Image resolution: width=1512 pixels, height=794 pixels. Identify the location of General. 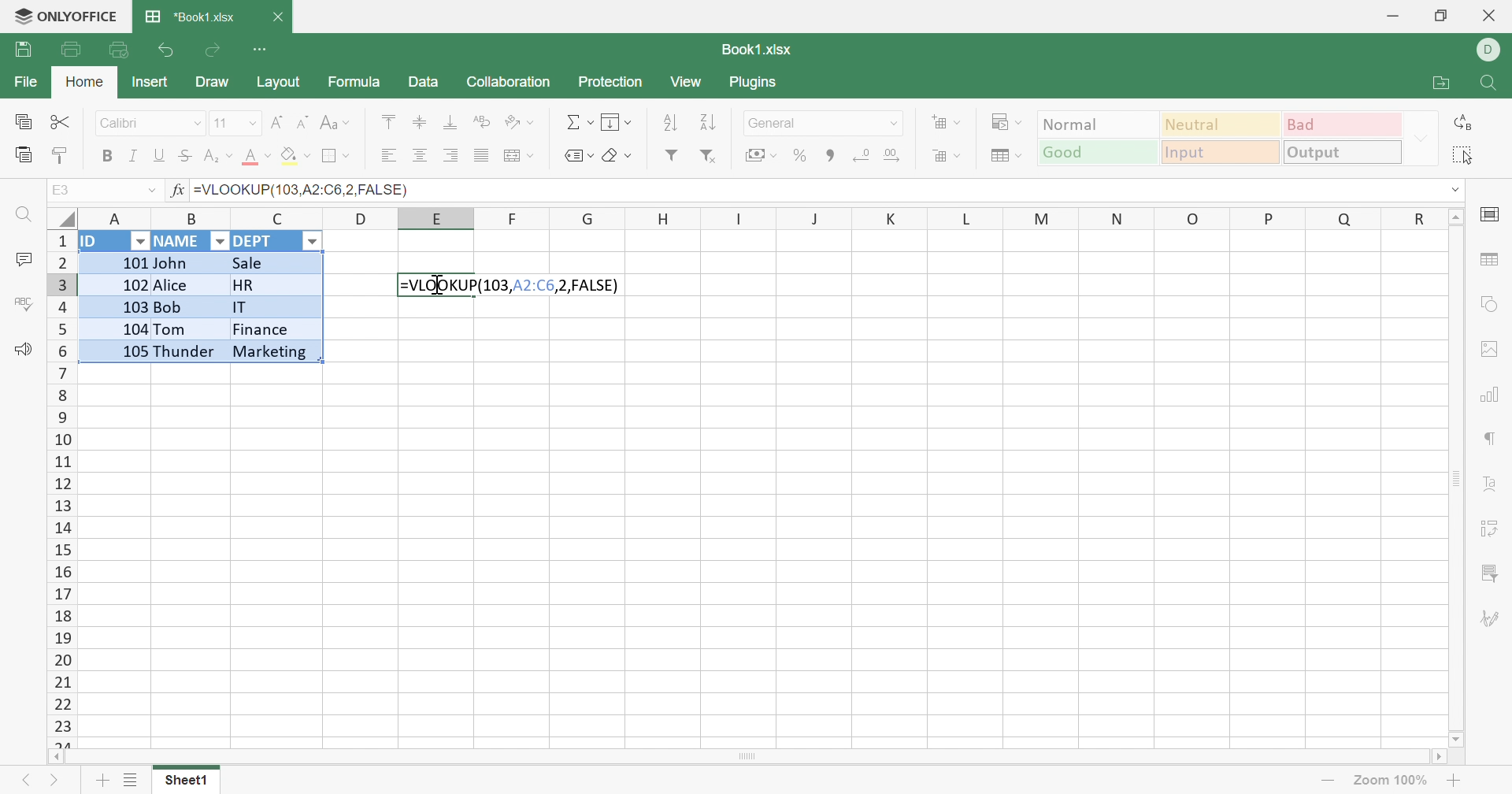
(776, 123).